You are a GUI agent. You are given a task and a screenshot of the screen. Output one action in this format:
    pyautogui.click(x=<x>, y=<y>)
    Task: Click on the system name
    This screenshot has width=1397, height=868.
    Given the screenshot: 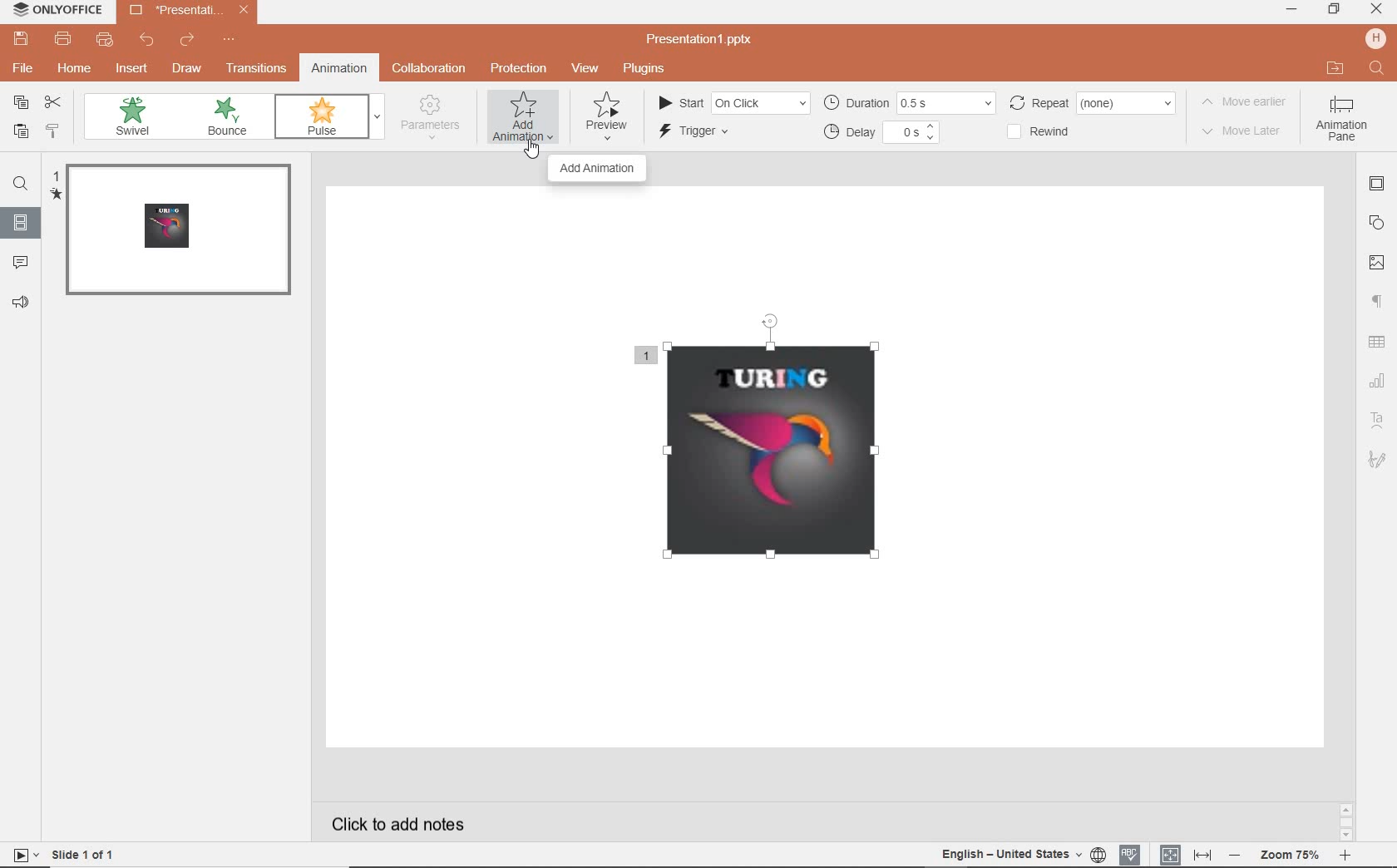 What is the action you would take?
    pyautogui.click(x=62, y=10)
    